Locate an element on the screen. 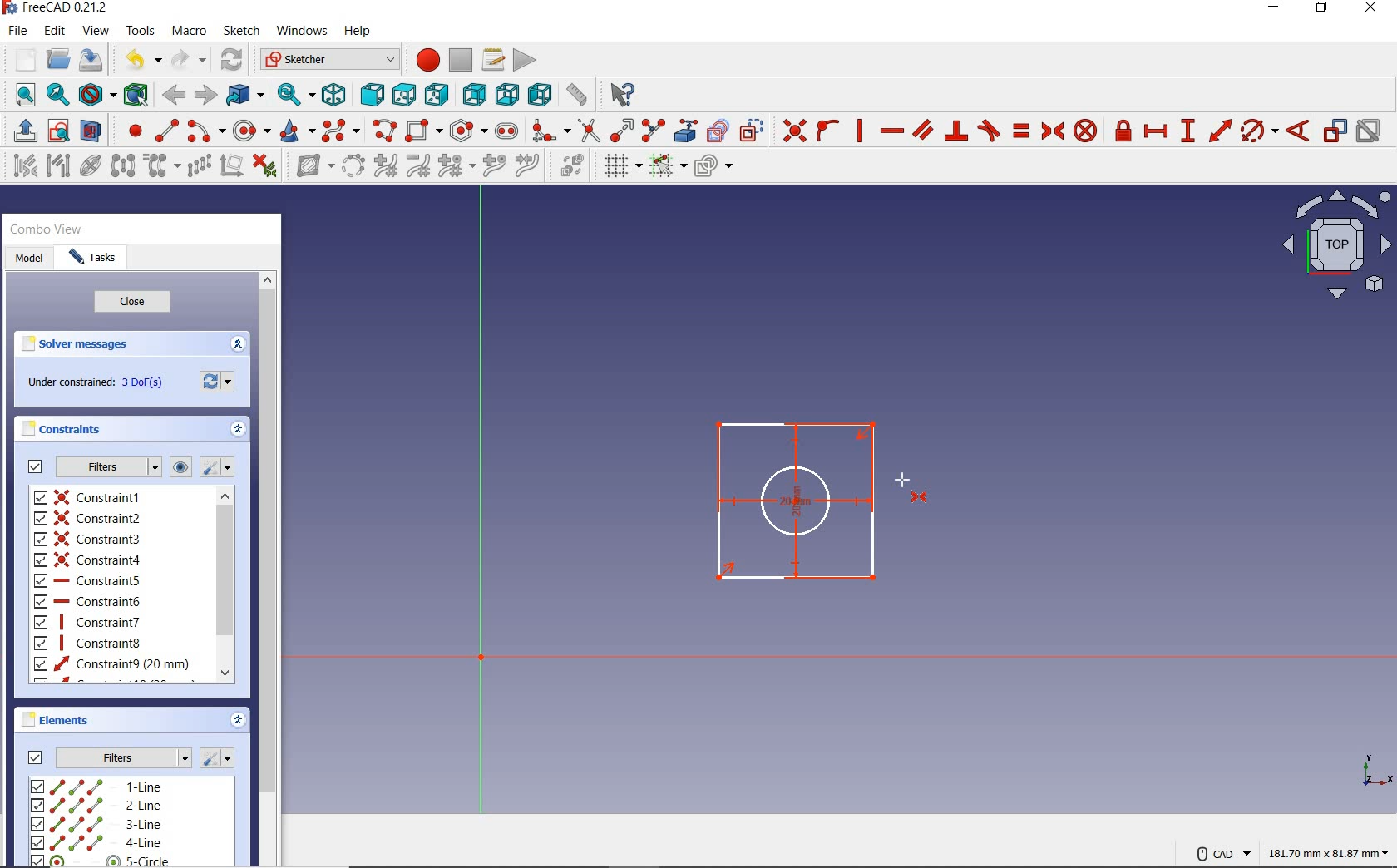  trim edge is located at coordinates (588, 131).